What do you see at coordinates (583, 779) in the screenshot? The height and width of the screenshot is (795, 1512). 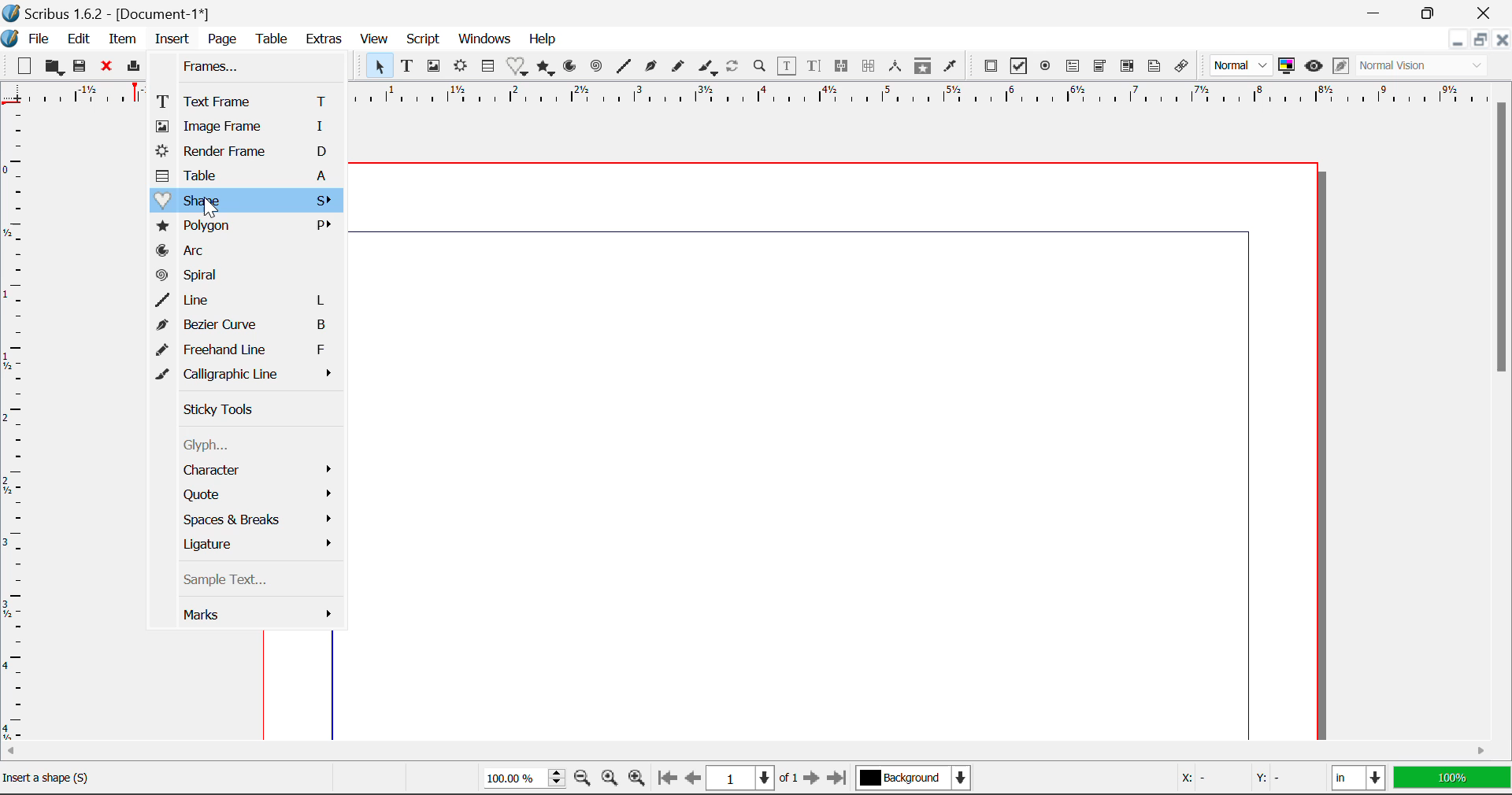 I see `Zoom Out` at bounding box center [583, 779].